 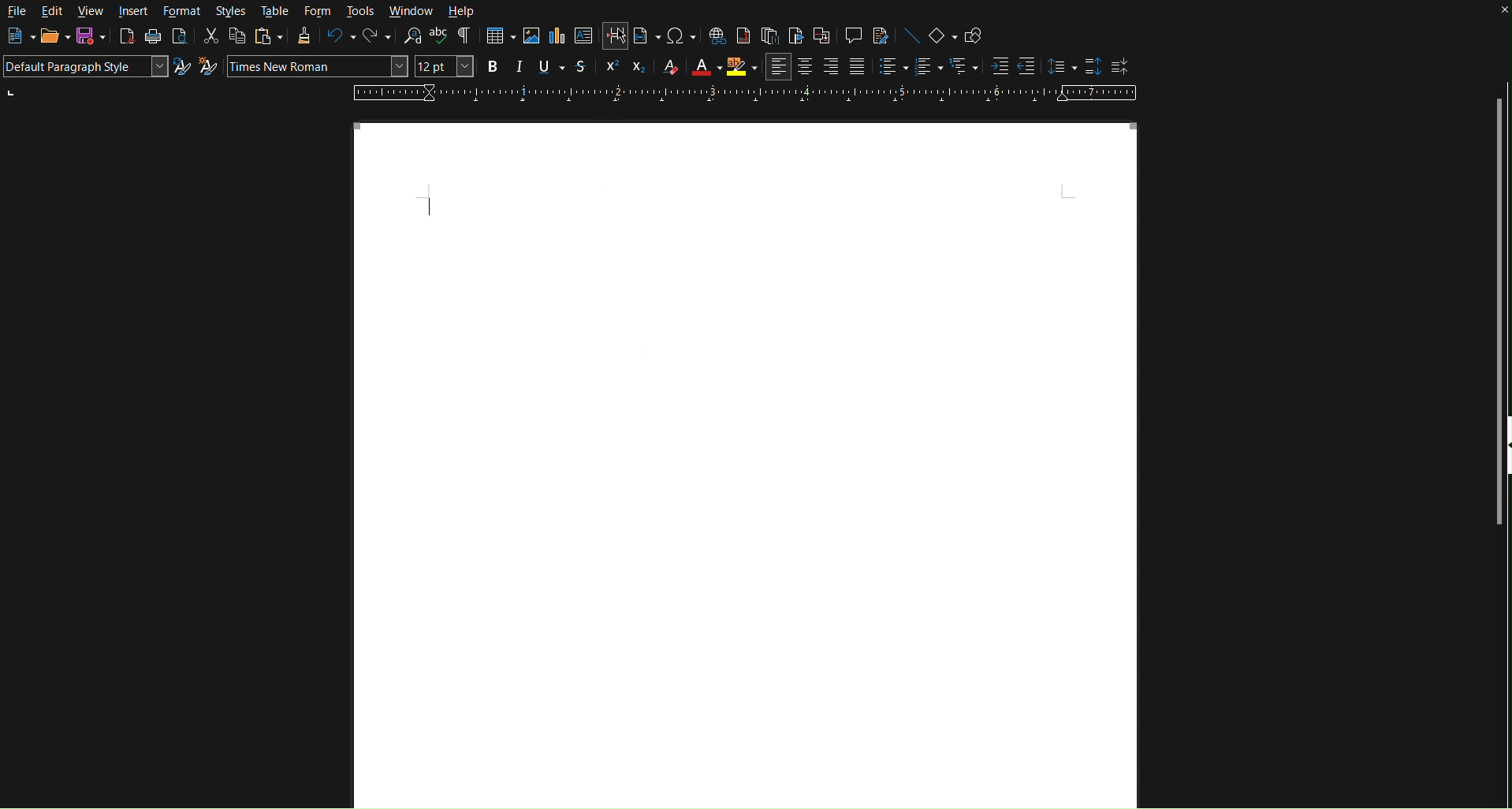 I want to click on Decrease Indent, so click(x=1026, y=66).